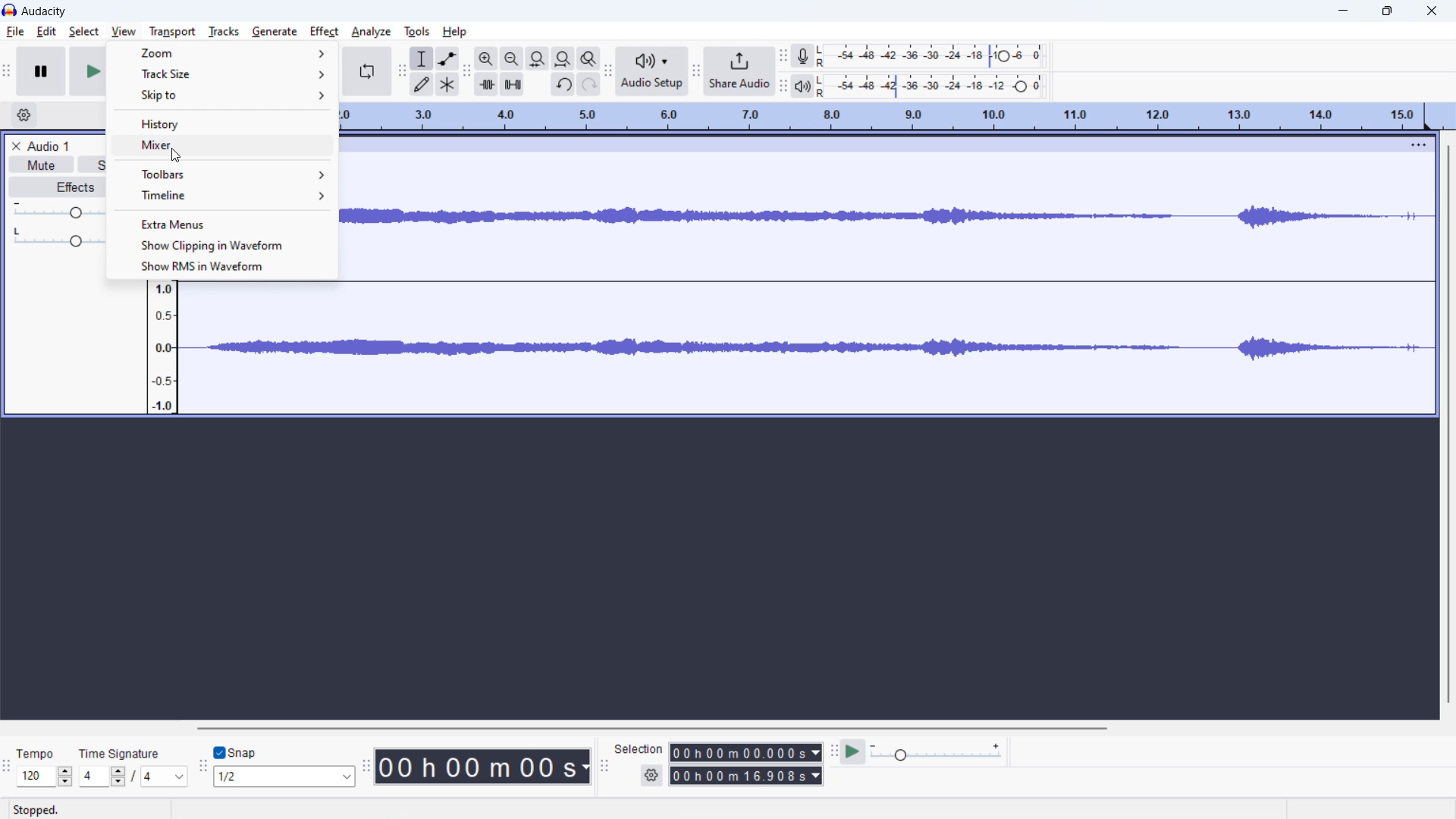 This screenshot has height=819, width=1456. What do you see at coordinates (126, 33) in the screenshot?
I see `cursor` at bounding box center [126, 33].